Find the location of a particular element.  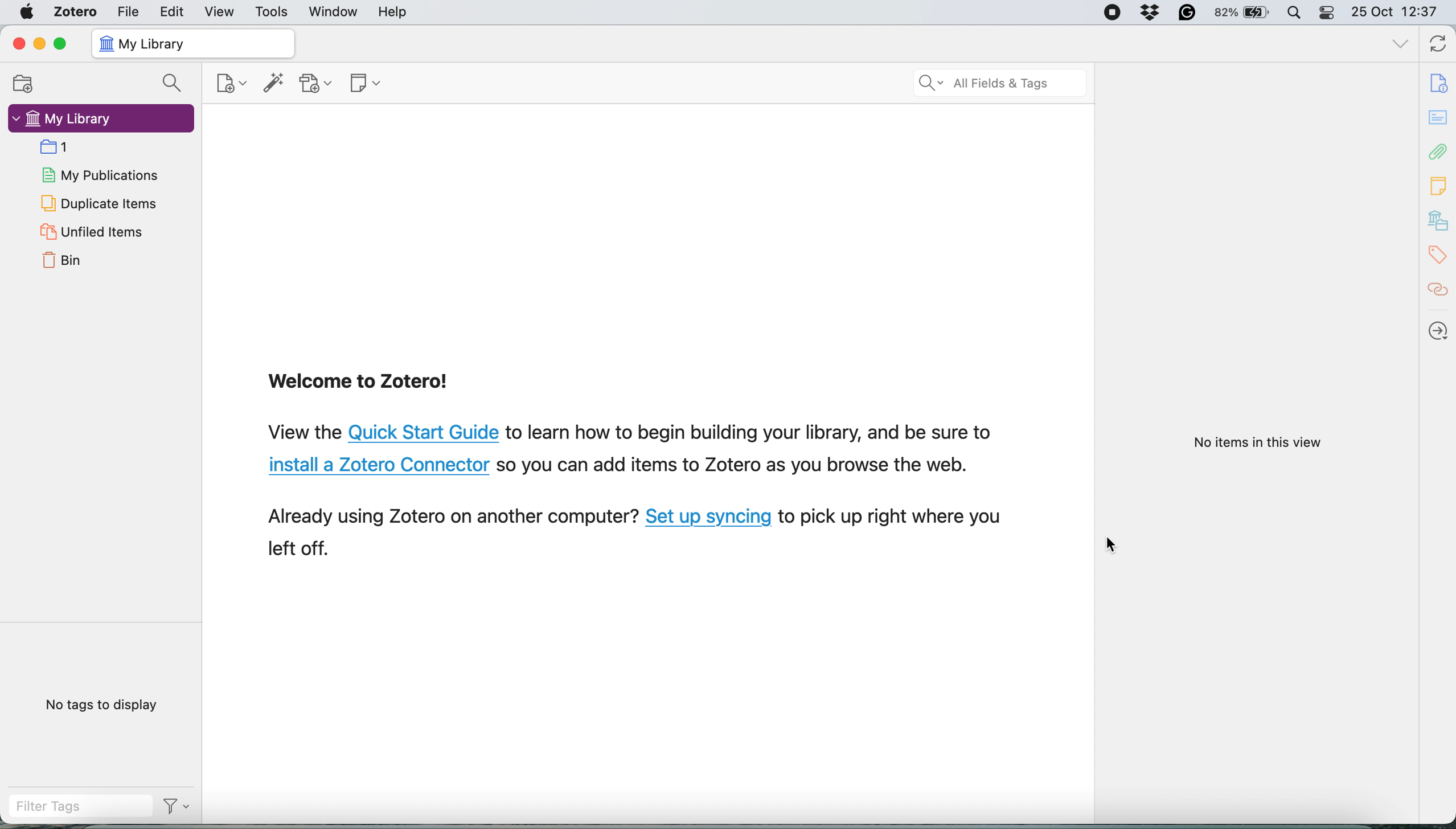

system logo is located at coordinates (27, 11).